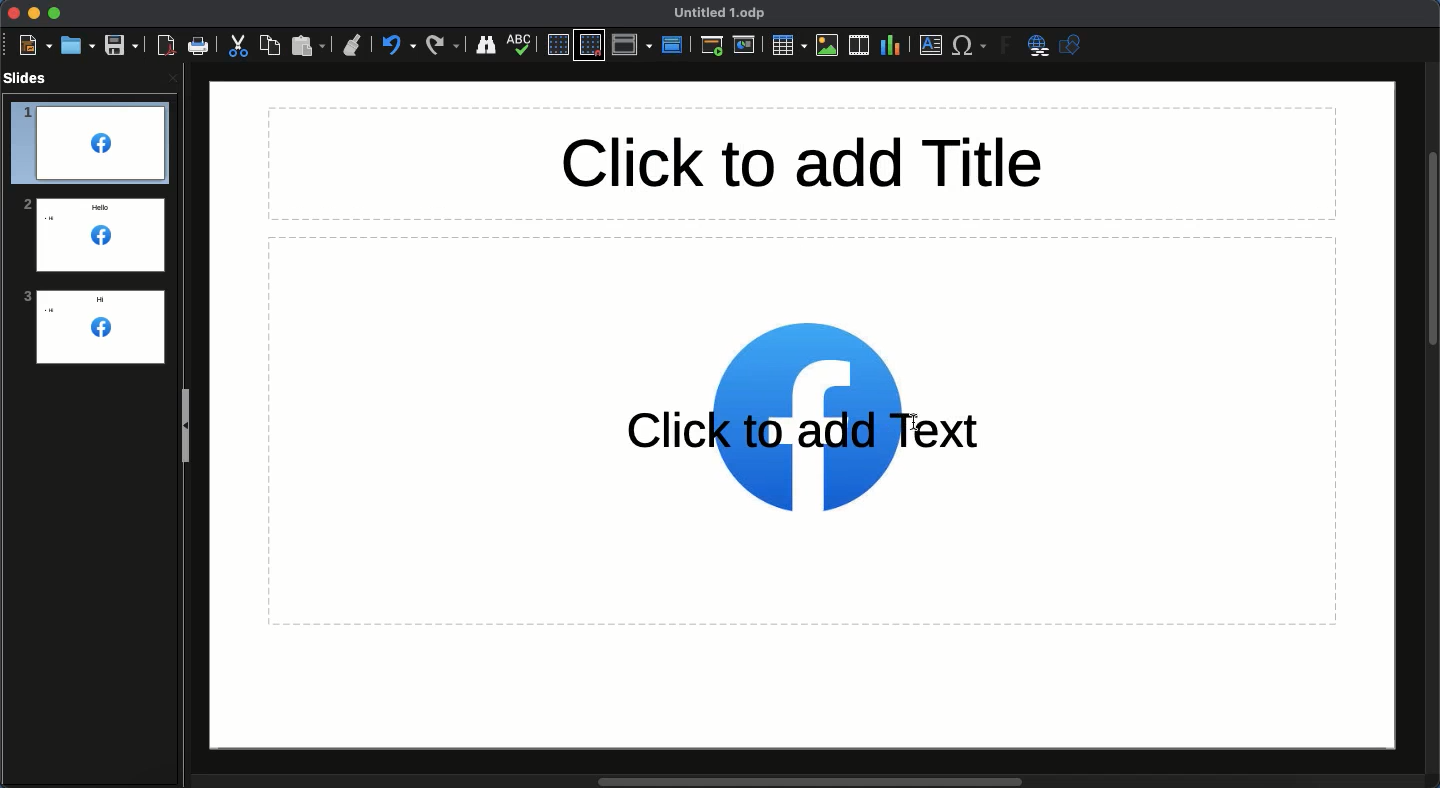 This screenshot has height=788, width=1440. I want to click on Snap to grid, so click(589, 45).